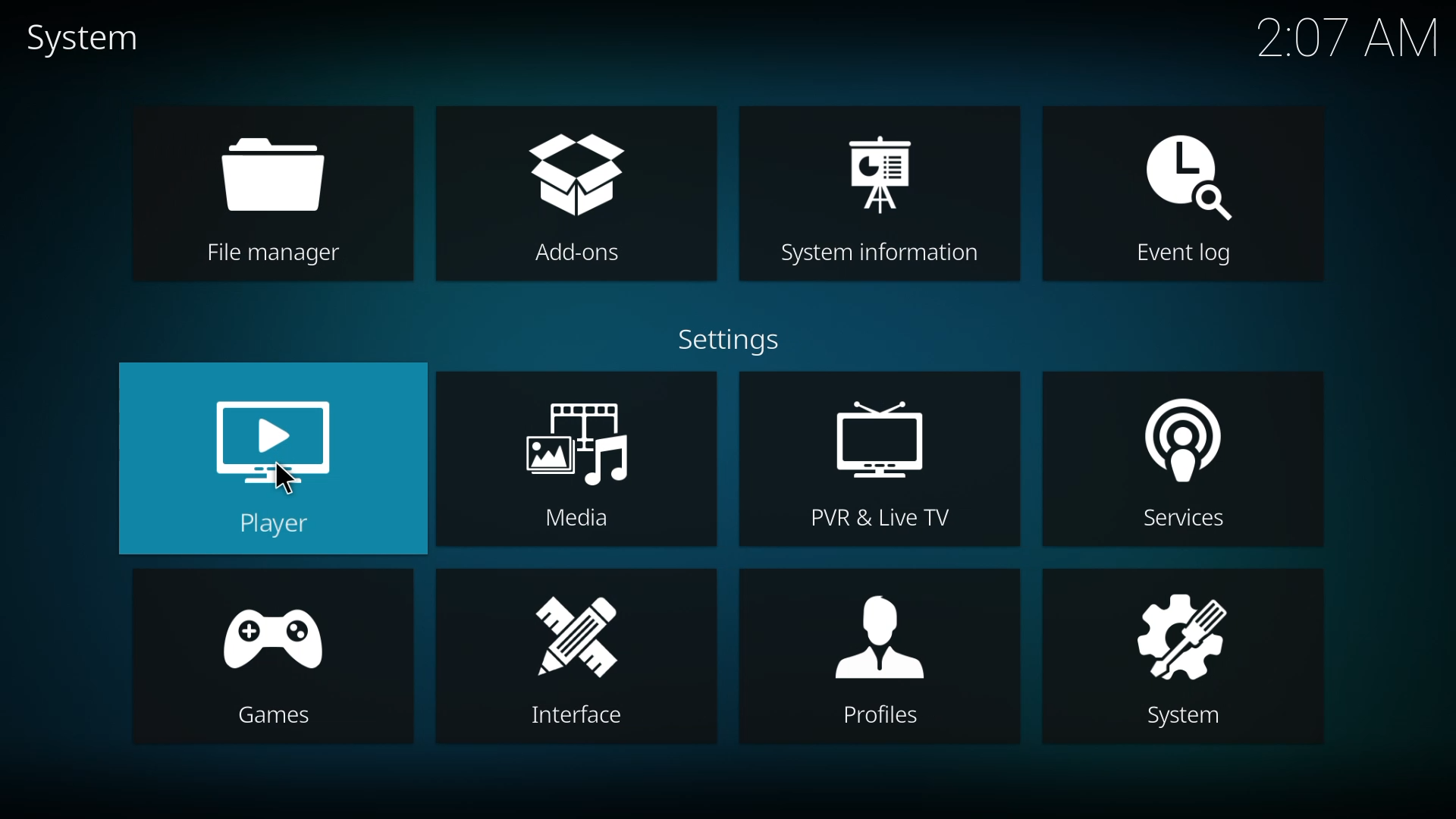 Image resolution: width=1456 pixels, height=819 pixels. What do you see at coordinates (1348, 39) in the screenshot?
I see `time` at bounding box center [1348, 39].